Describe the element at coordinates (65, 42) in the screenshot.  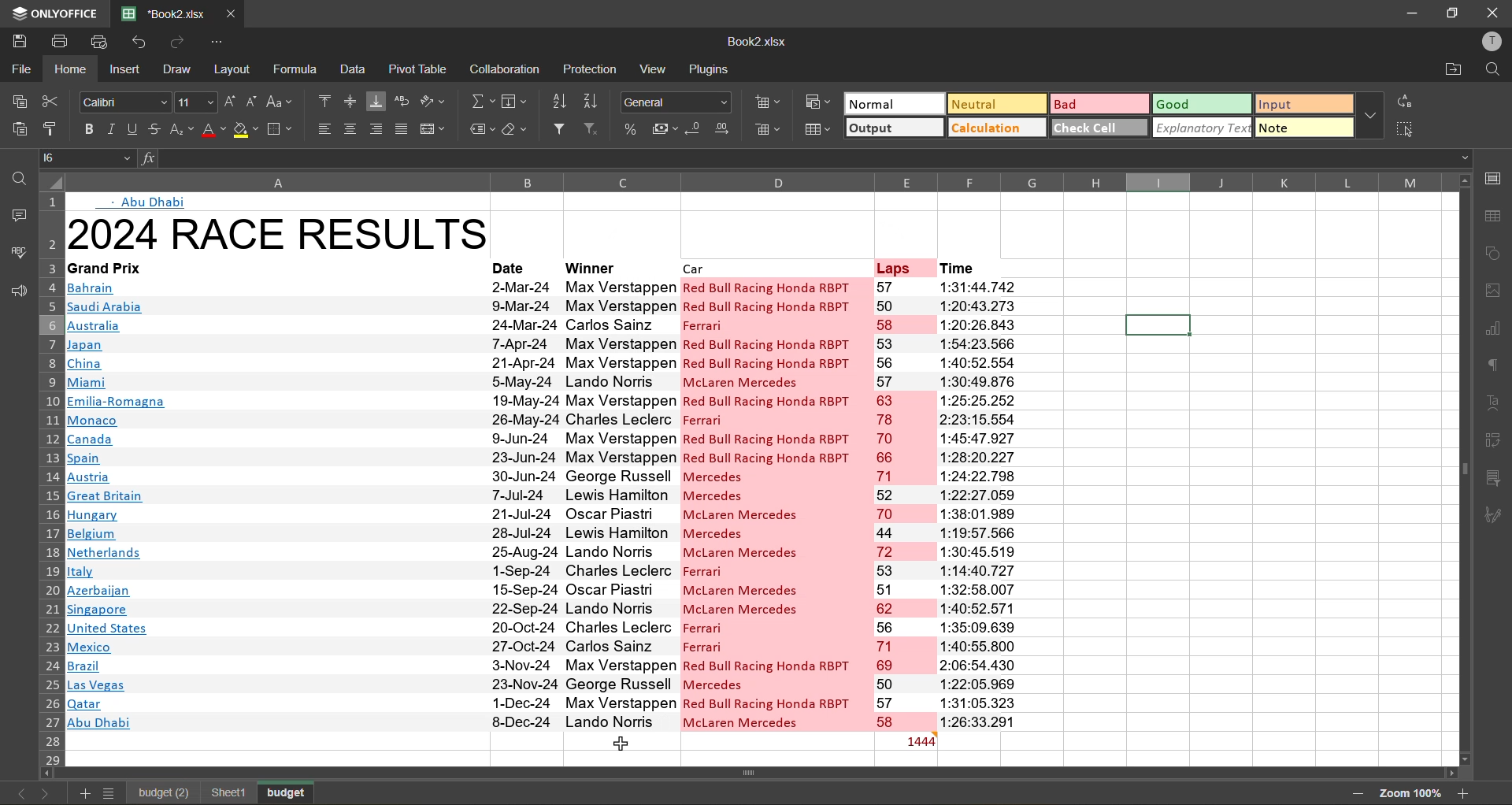
I see `print` at that location.